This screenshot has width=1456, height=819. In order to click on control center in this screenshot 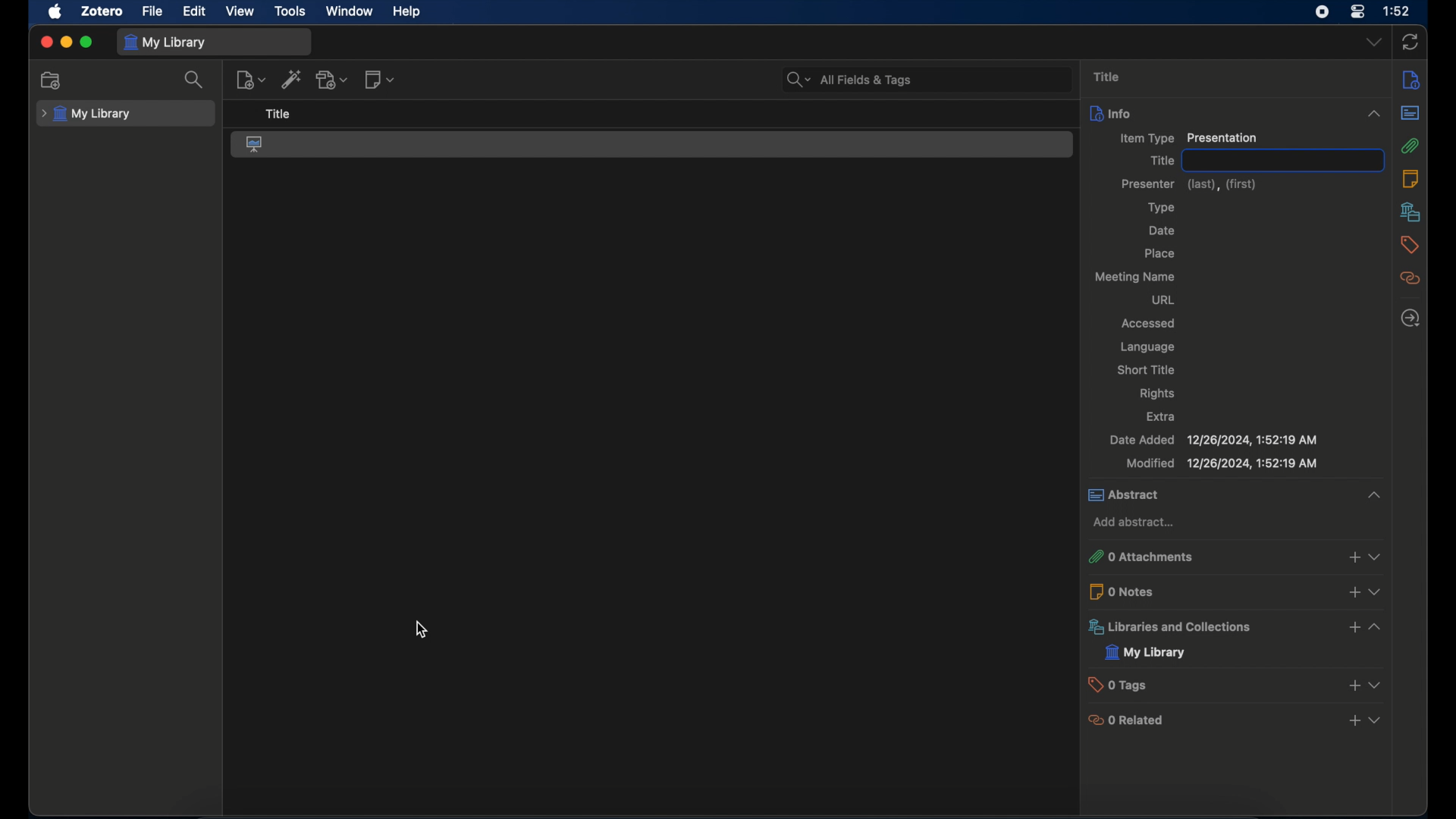, I will do `click(1357, 12)`.